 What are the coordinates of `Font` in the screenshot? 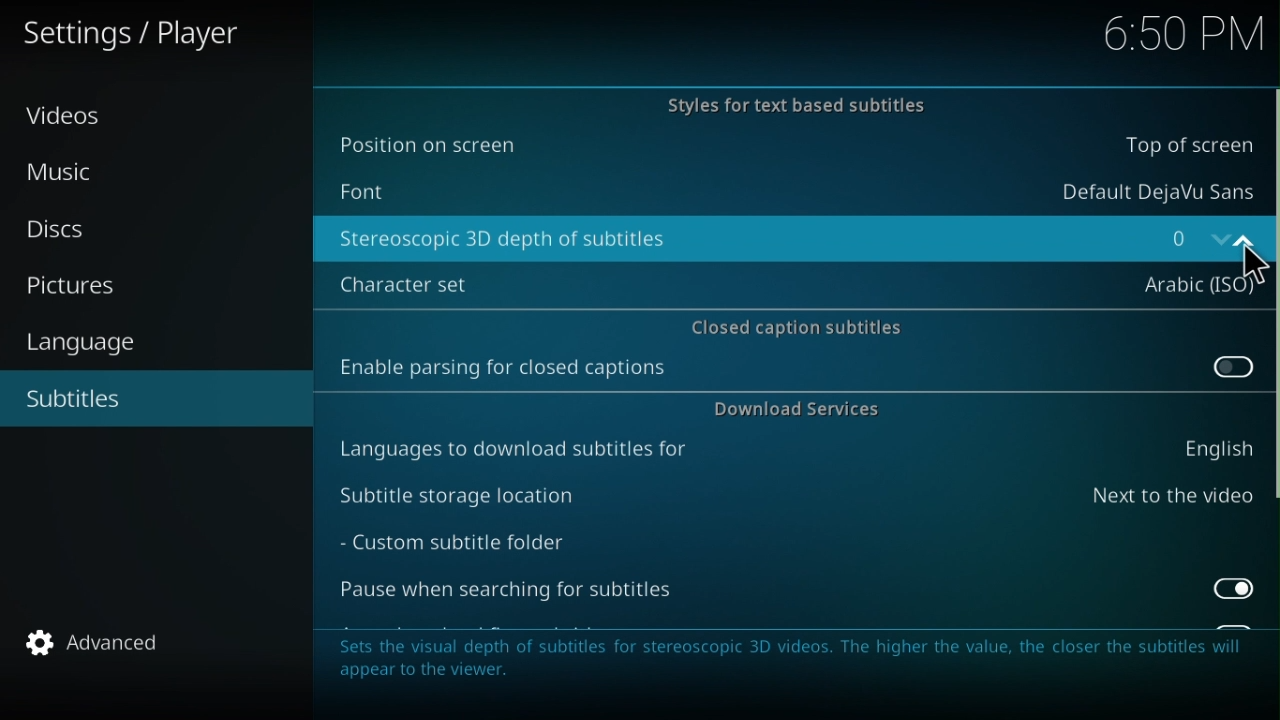 It's located at (791, 188).